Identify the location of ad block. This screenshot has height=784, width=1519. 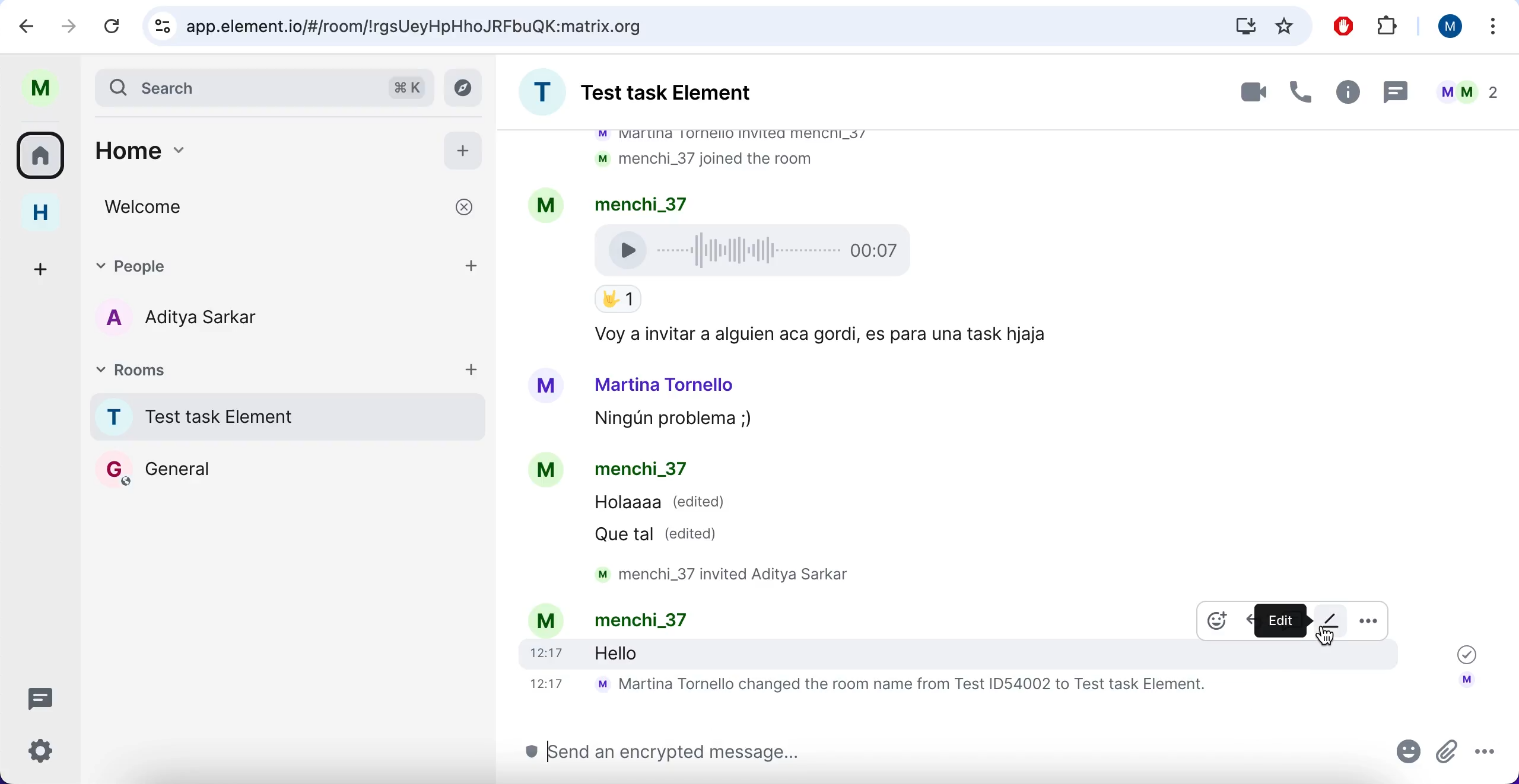
(1345, 26).